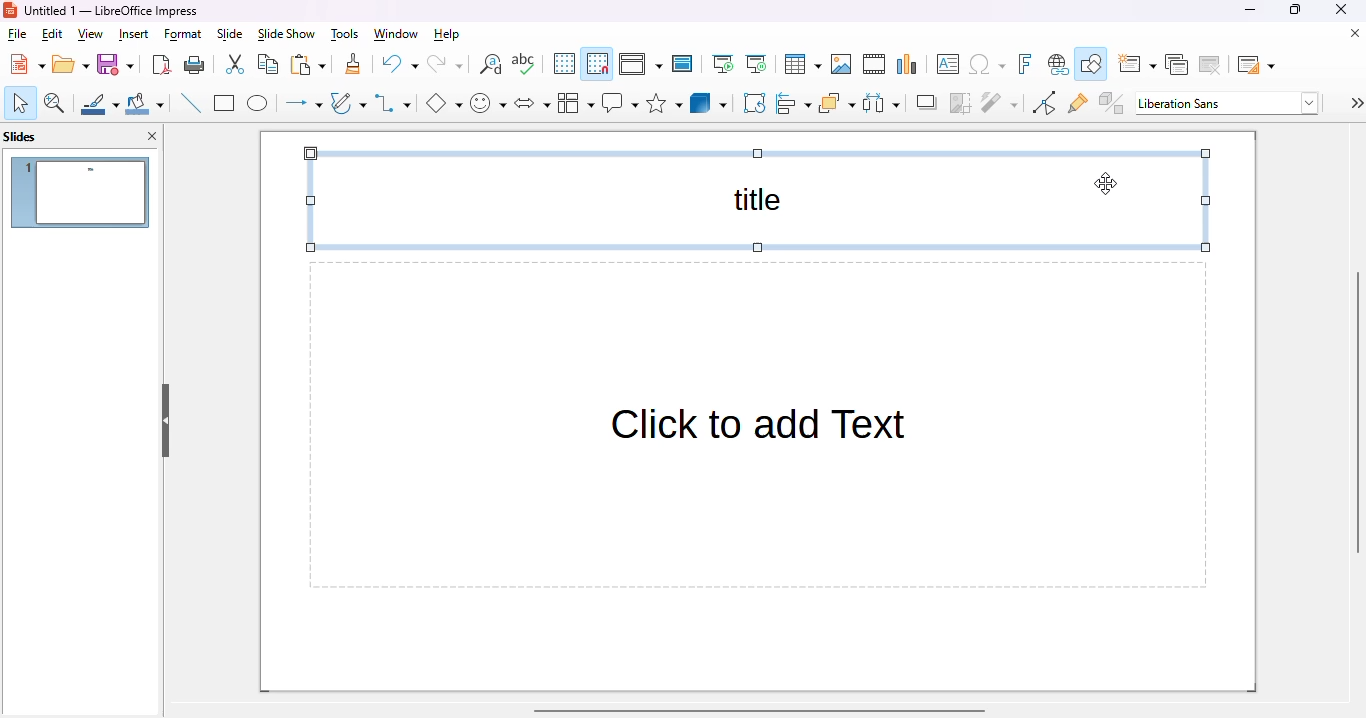 The width and height of the screenshot is (1366, 718). Describe the element at coordinates (598, 64) in the screenshot. I see `snap to grid` at that location.